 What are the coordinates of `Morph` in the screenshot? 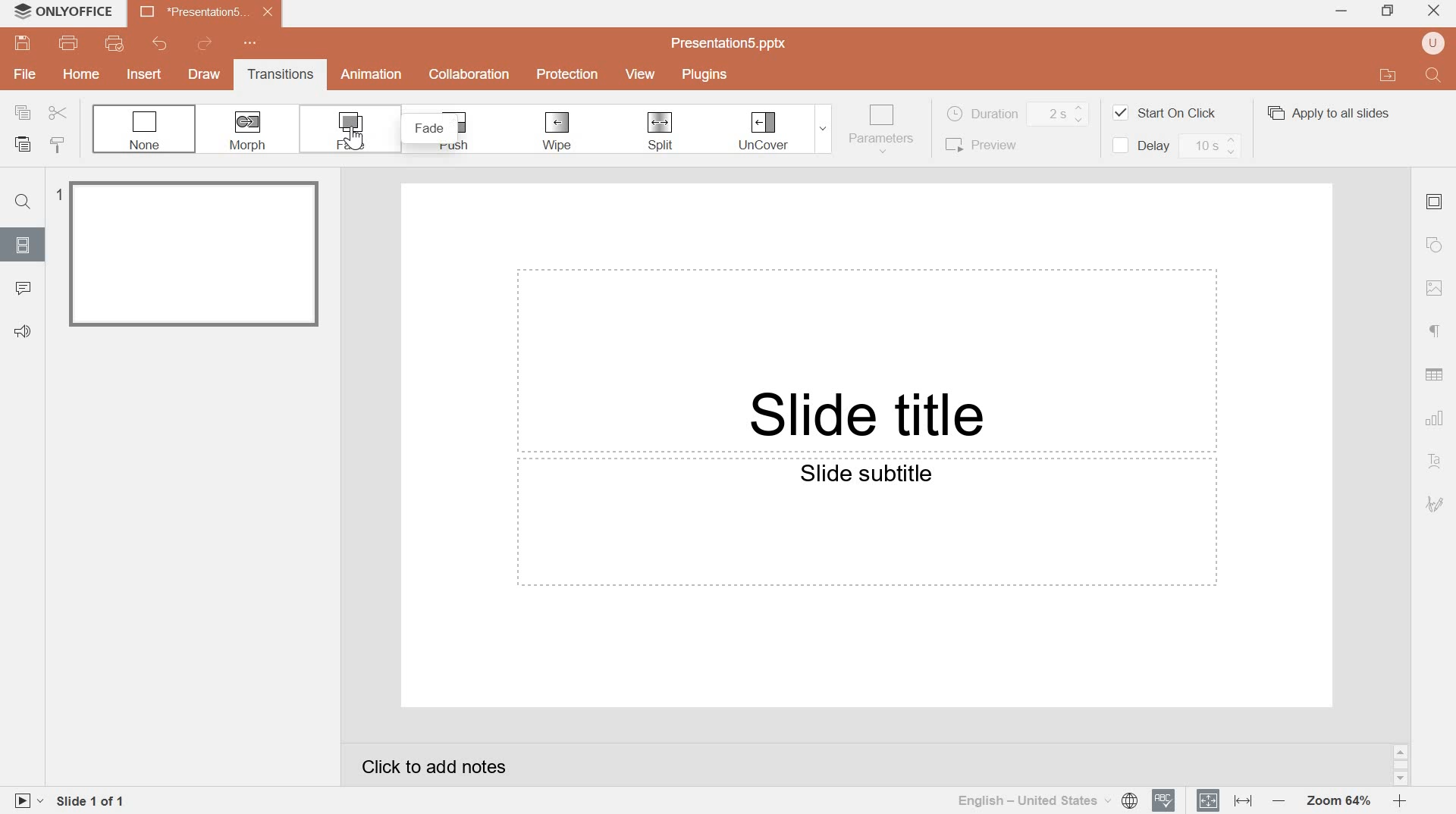 It's located at (249, 129).